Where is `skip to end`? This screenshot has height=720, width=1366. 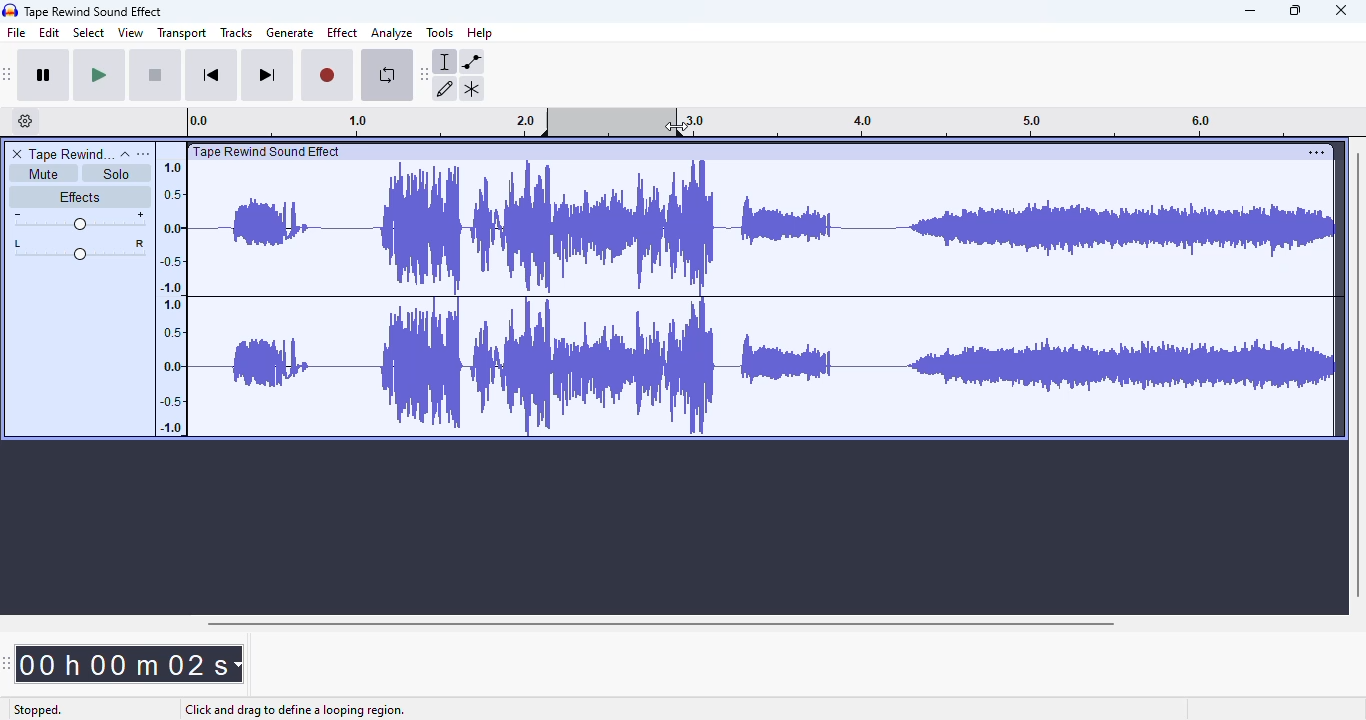
skip to end is located at coordinates (268, 75).